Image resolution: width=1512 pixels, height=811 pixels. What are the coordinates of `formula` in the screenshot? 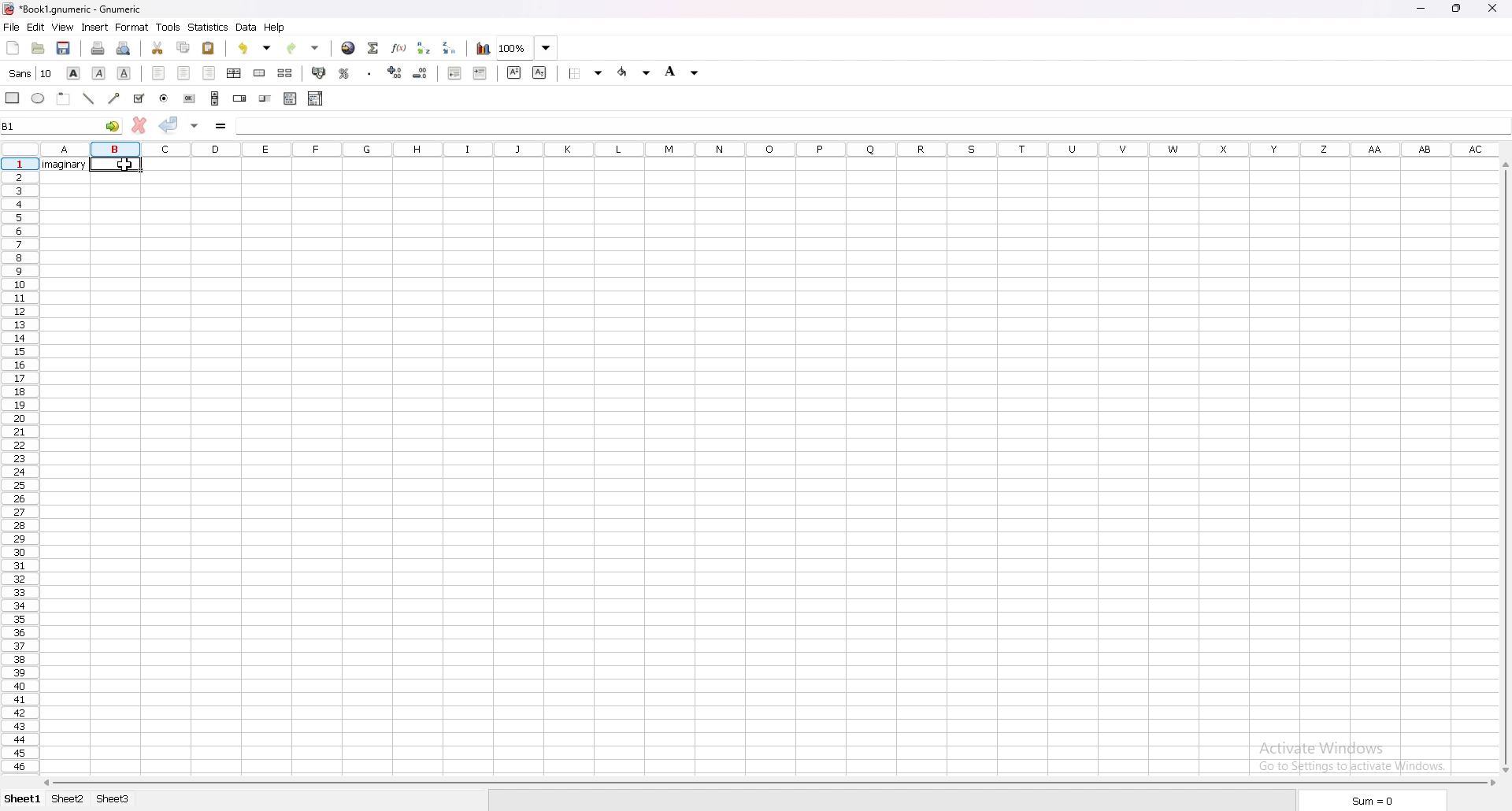 It's located at (222, 125).